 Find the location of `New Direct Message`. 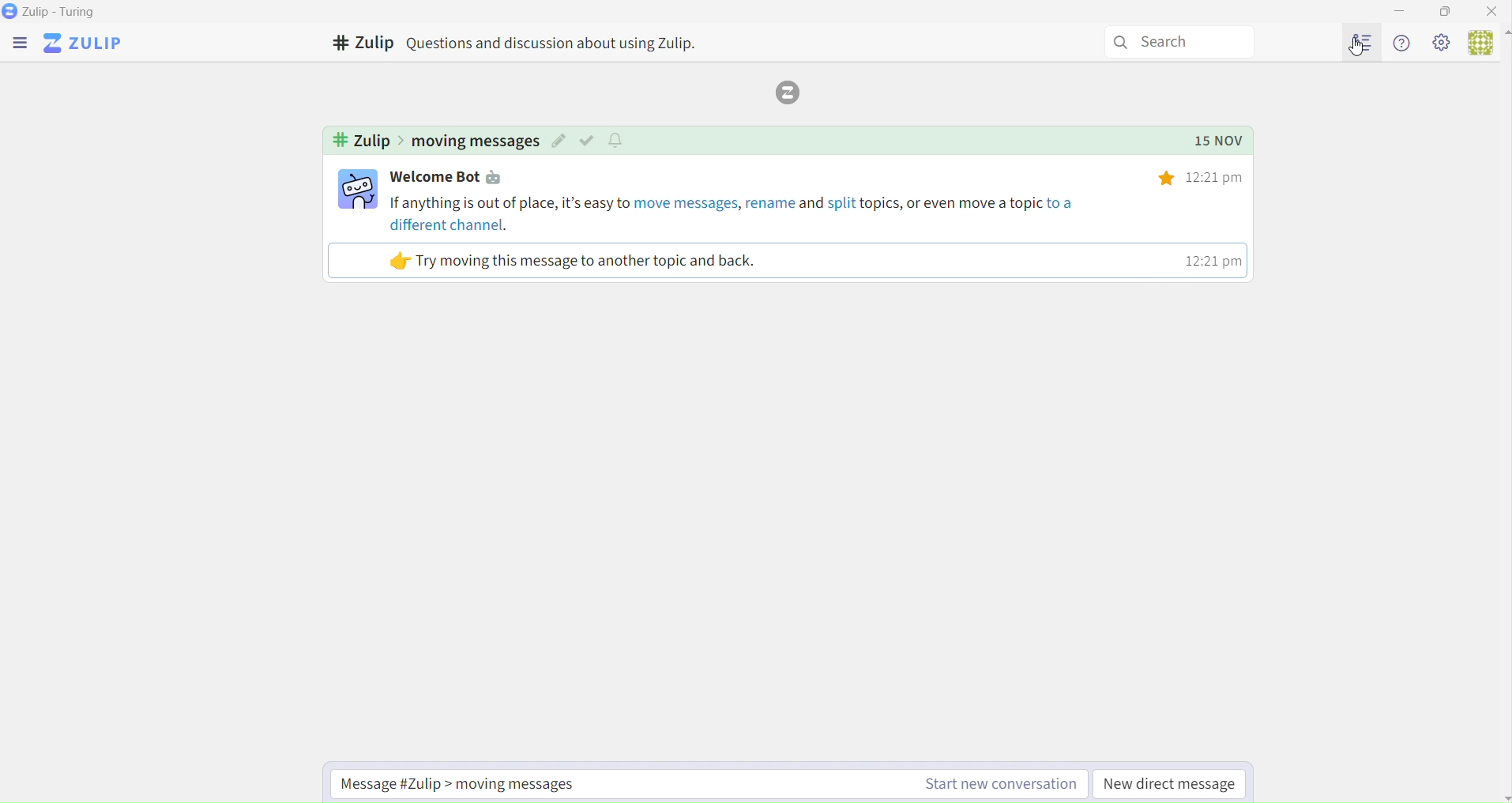

New Direct Message is located at coordinates (1171, 786).